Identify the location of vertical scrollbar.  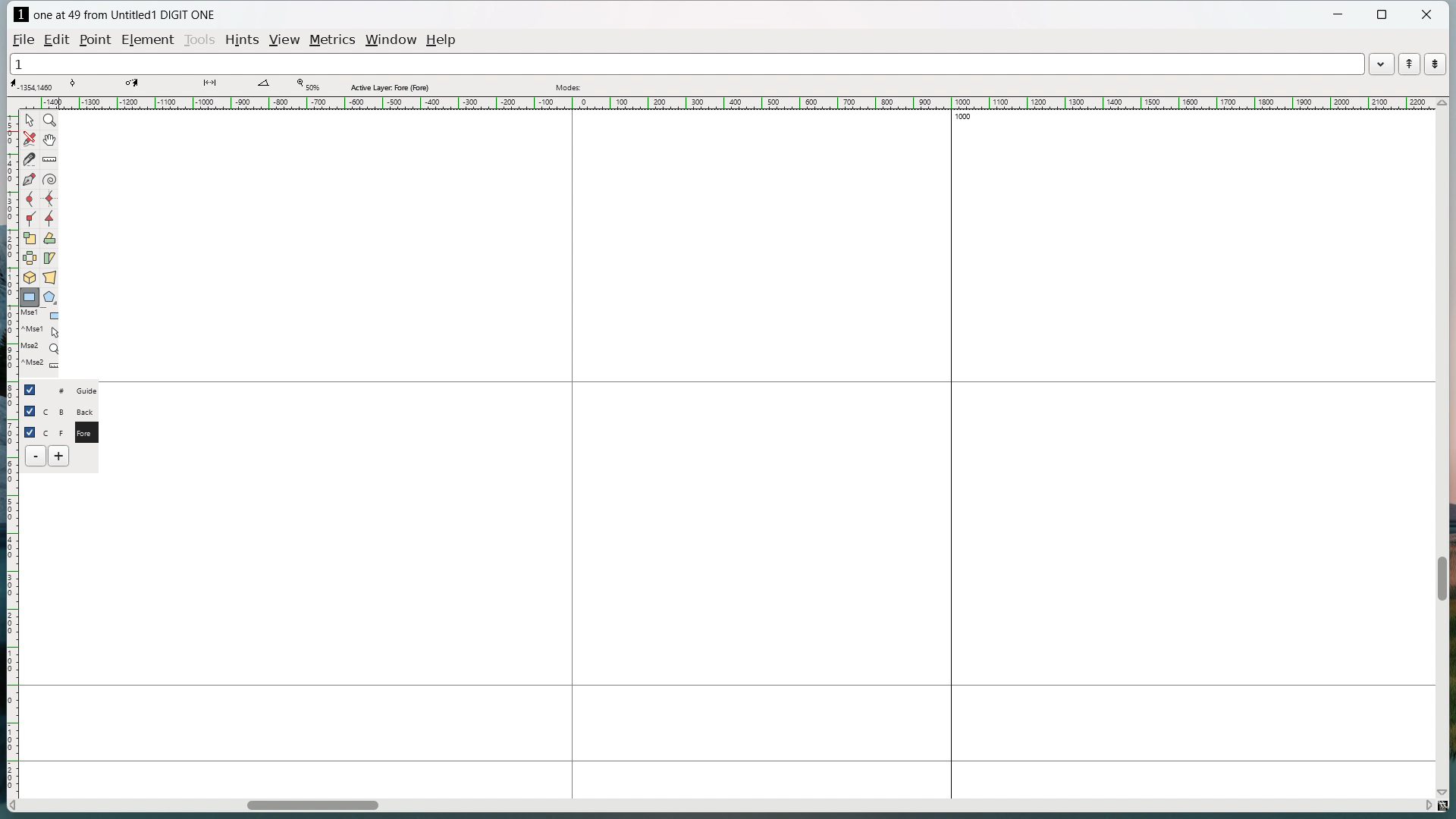
(1441, 579).